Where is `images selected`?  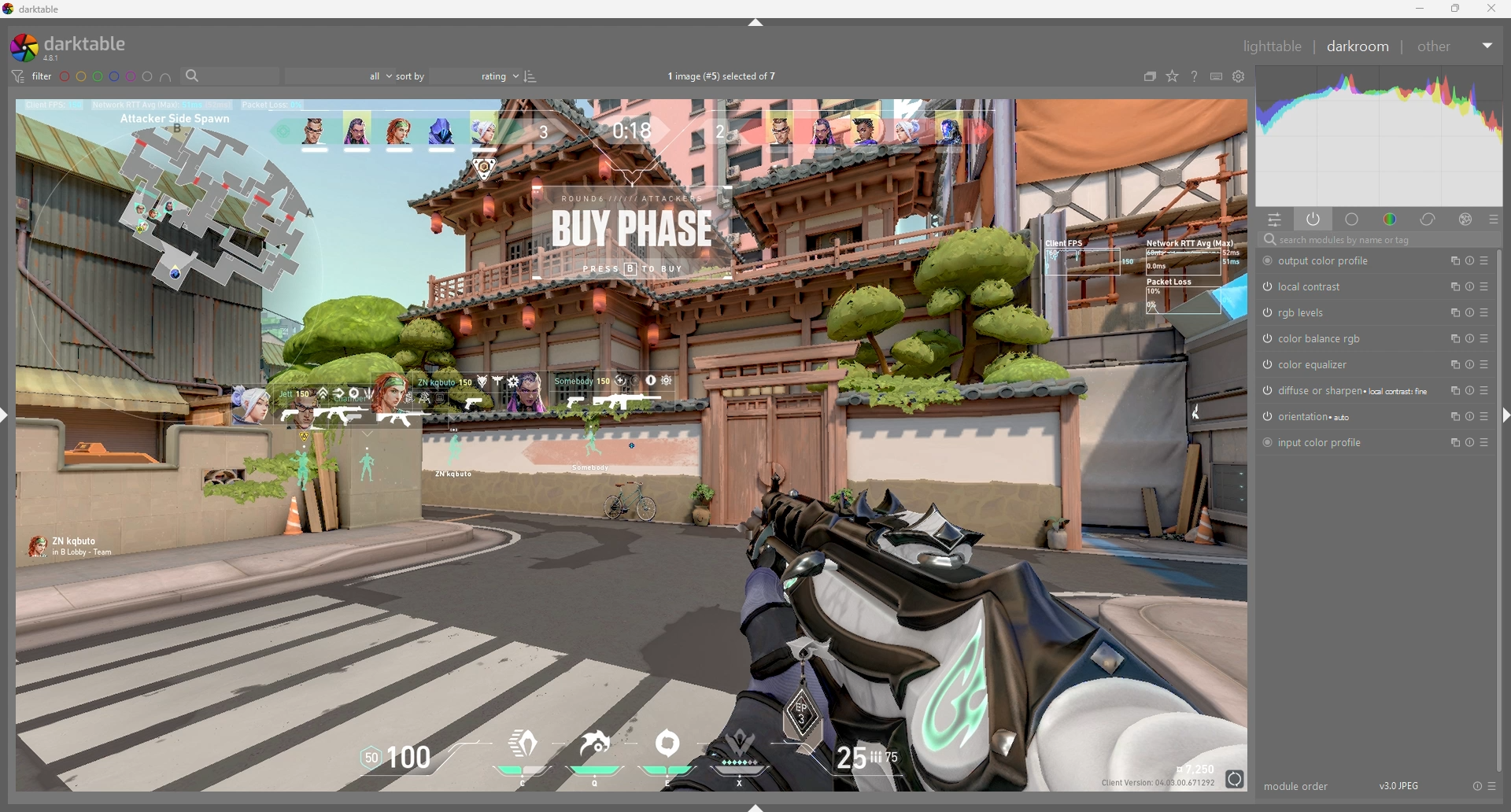 images selected is located at coordinates (725, 76).